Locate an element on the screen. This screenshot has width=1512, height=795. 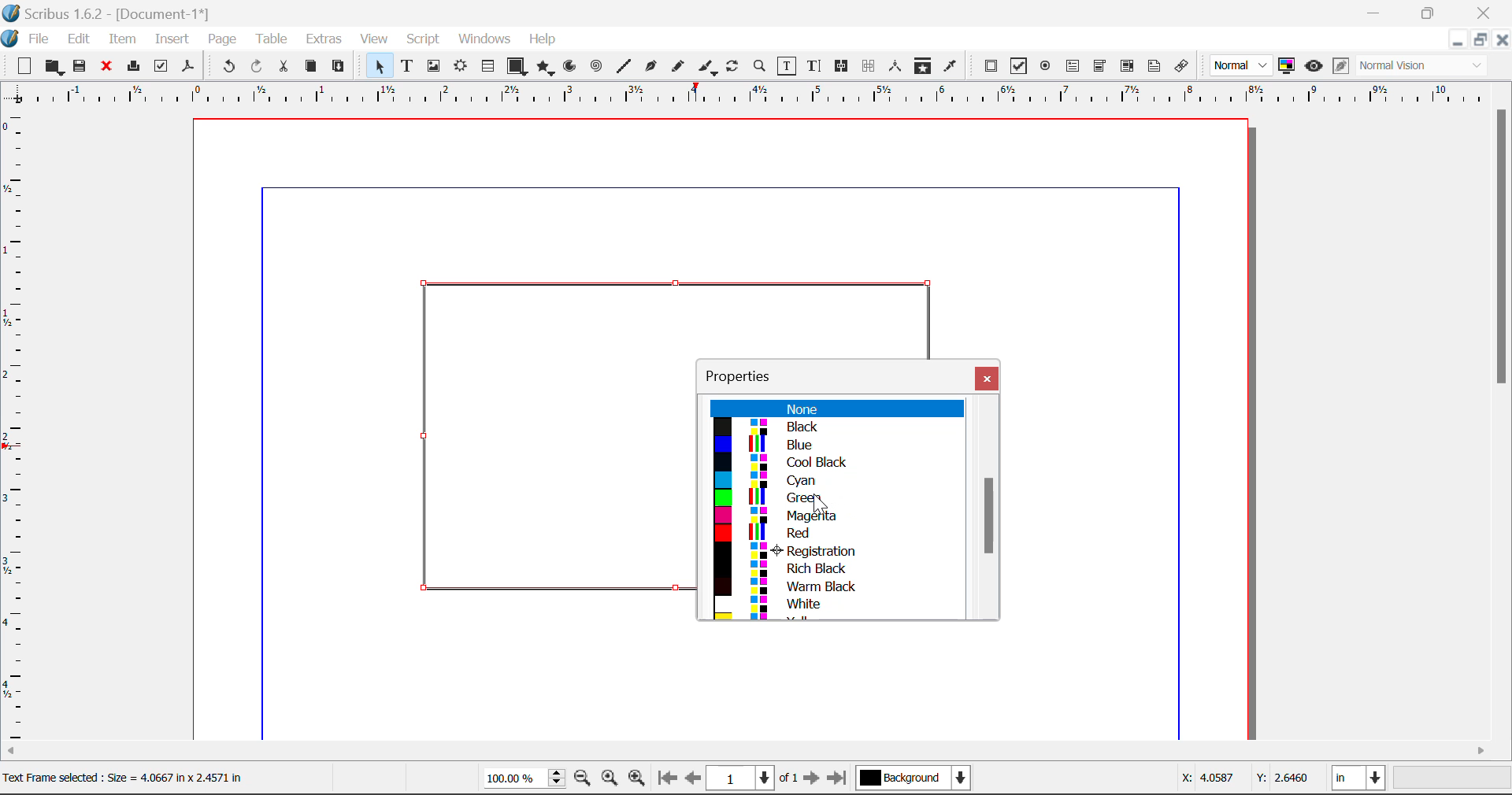
Rotate is located at coordinates (733, 65).